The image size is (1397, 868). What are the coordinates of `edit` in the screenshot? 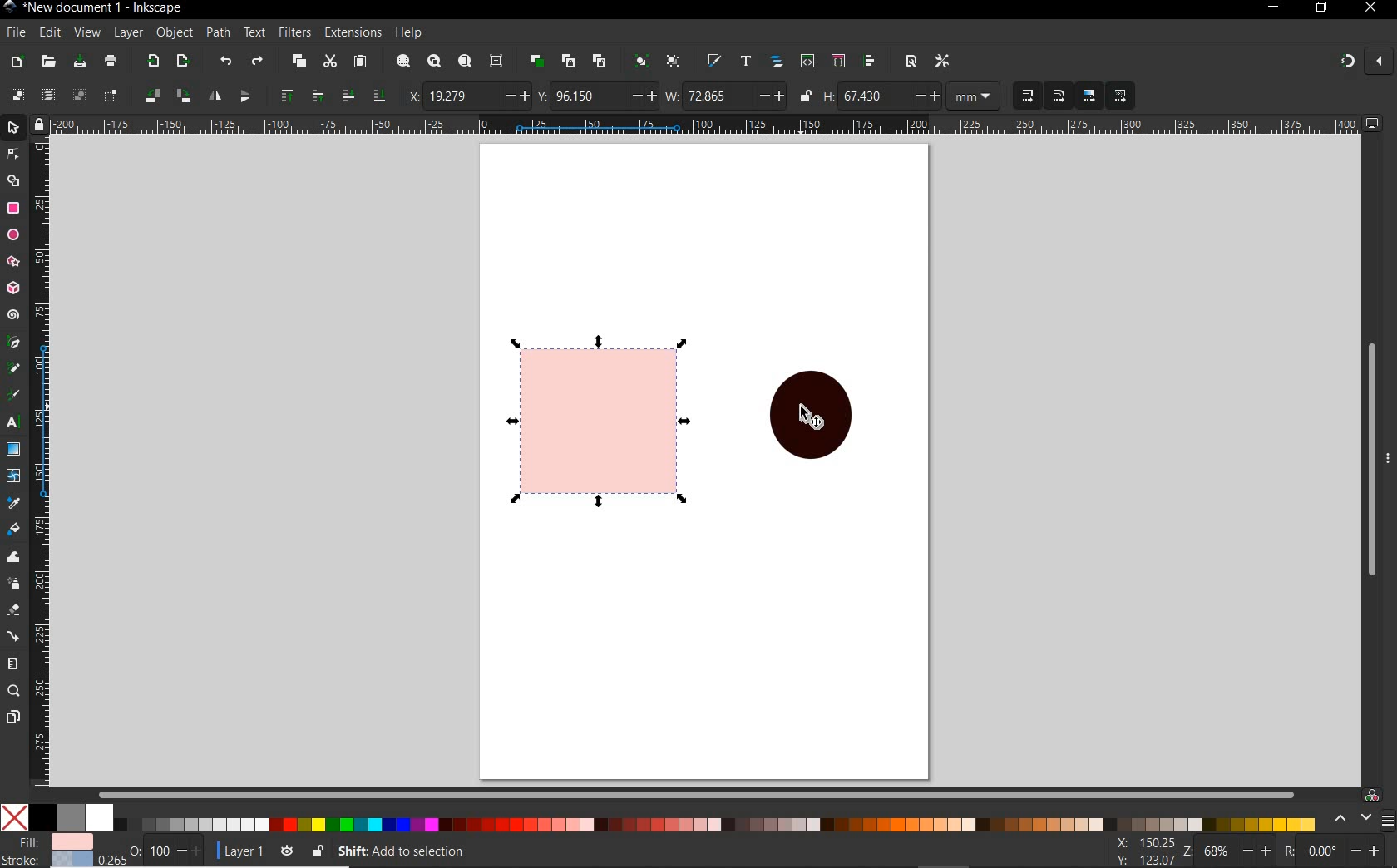 It's located at (50, 33).